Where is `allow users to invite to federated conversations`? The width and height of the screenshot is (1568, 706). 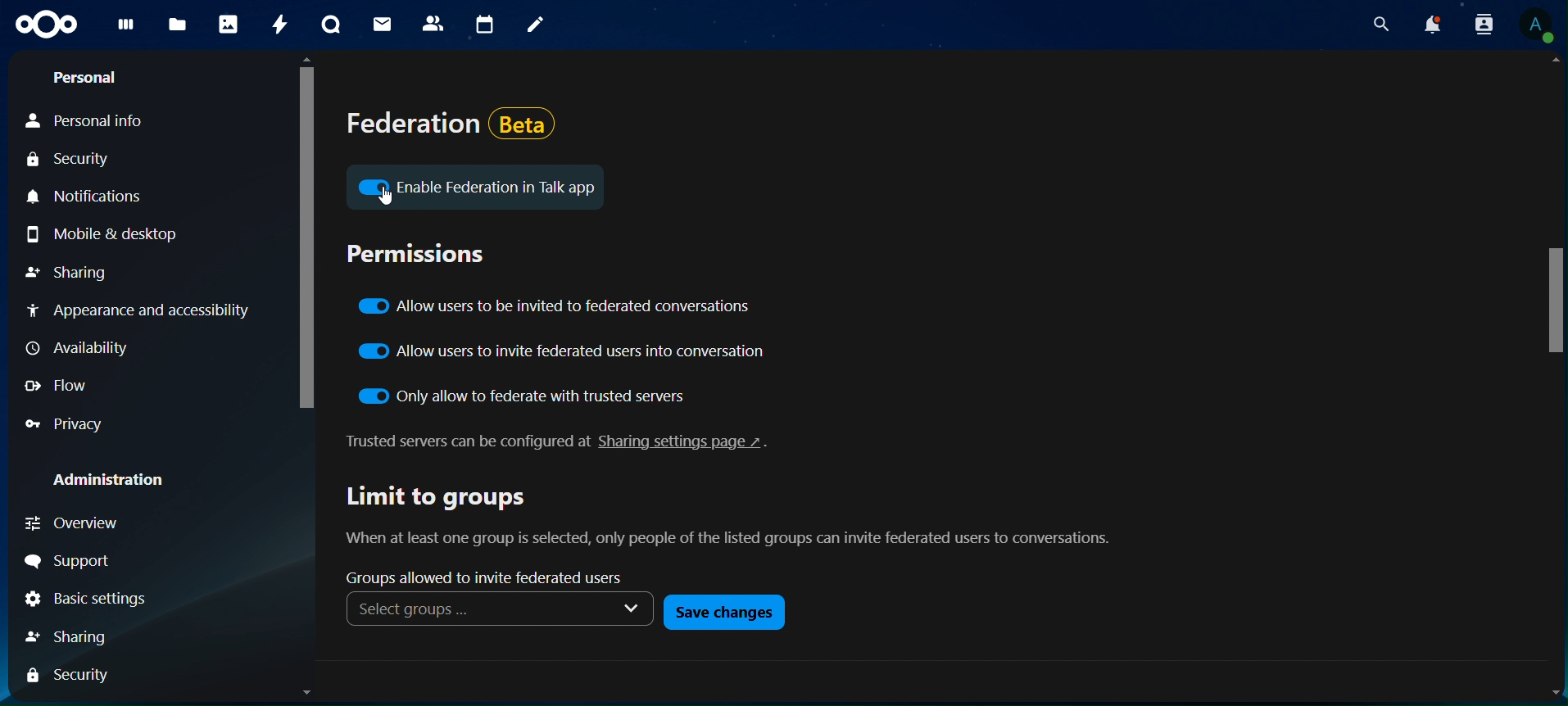
allow users to invite to federated conversations is located at coordinates (563, 304).